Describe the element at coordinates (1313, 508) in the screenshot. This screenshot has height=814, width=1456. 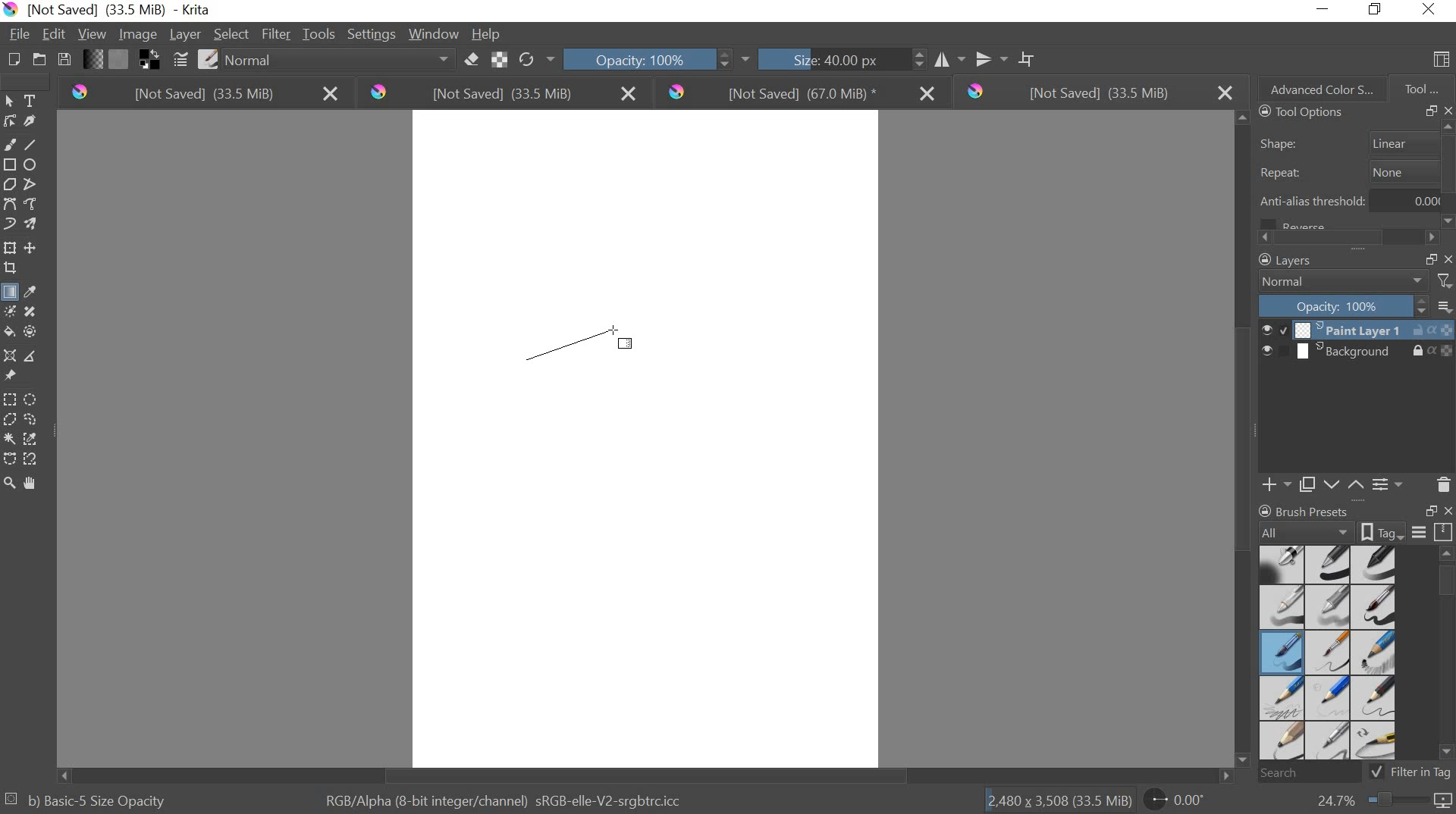
I see `BRUSH PROPERTIES` at that location.